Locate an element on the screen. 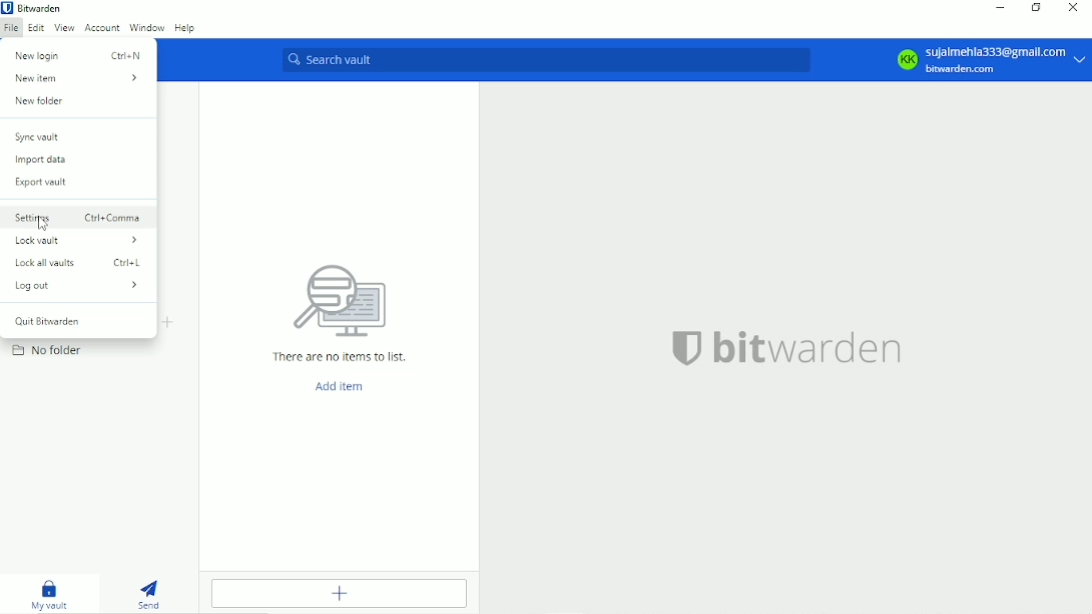  Sync is located at coordinates (38, 137).